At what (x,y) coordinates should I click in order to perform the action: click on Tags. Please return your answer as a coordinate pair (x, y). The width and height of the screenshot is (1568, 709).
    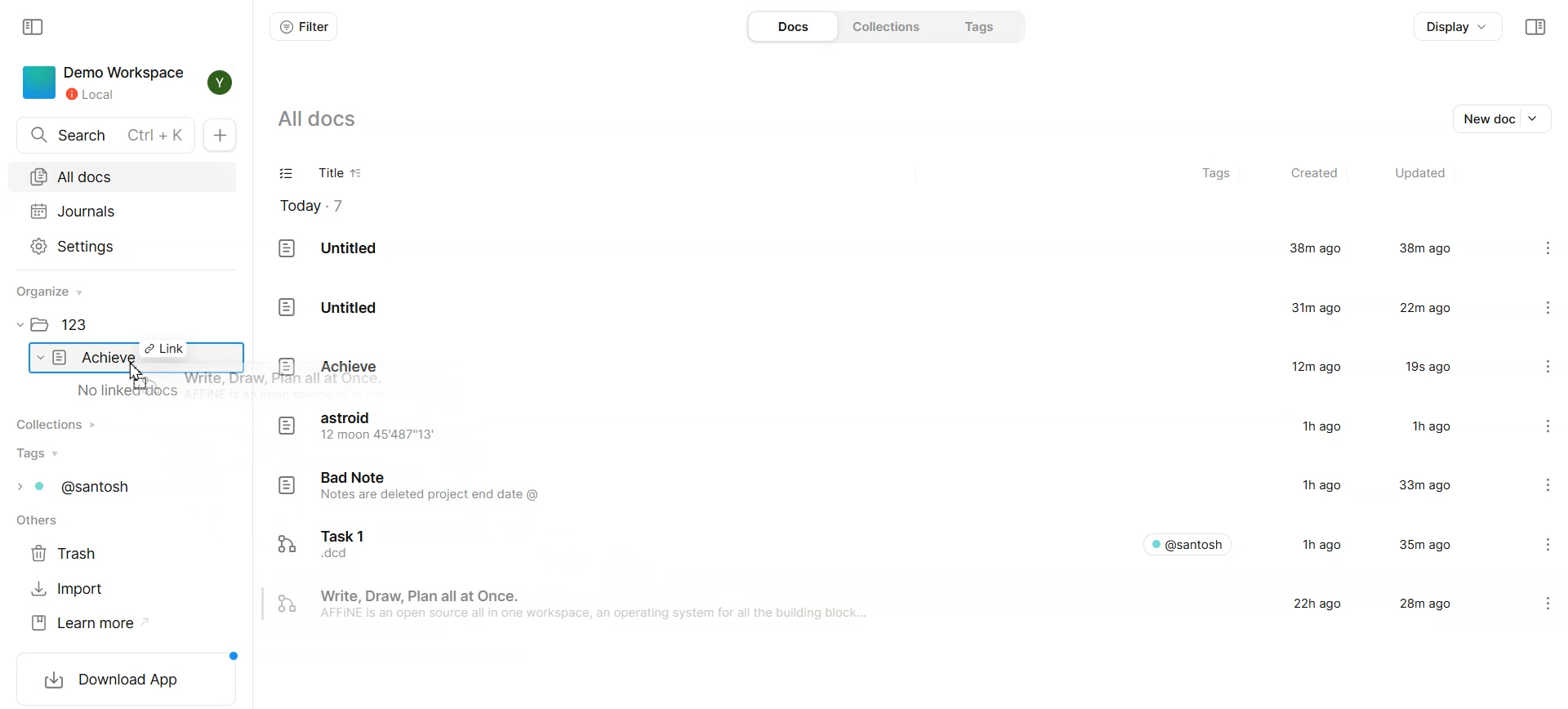
    Looking at the image, I should click on (975, 26).